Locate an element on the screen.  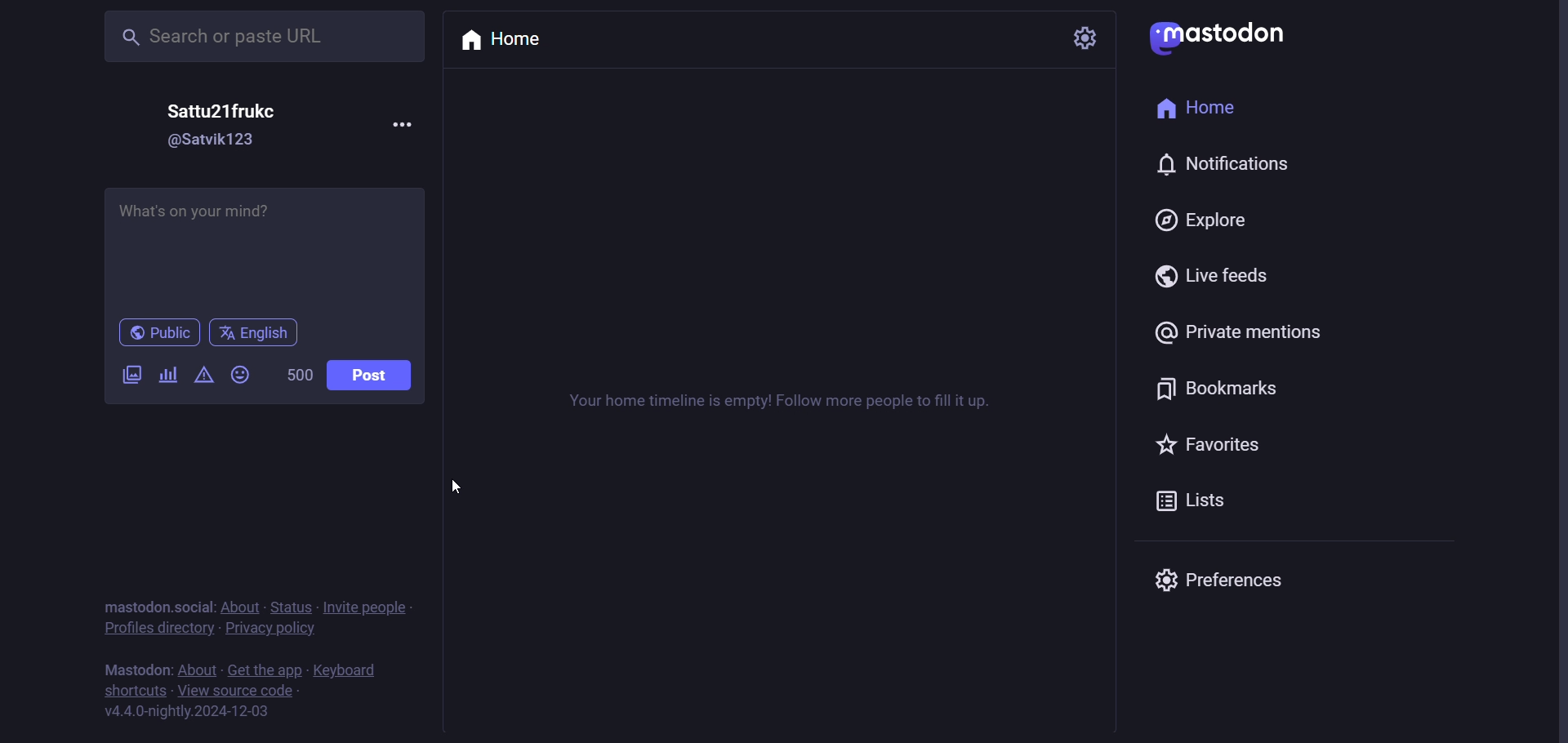
more is located at coordinates (401, 126).